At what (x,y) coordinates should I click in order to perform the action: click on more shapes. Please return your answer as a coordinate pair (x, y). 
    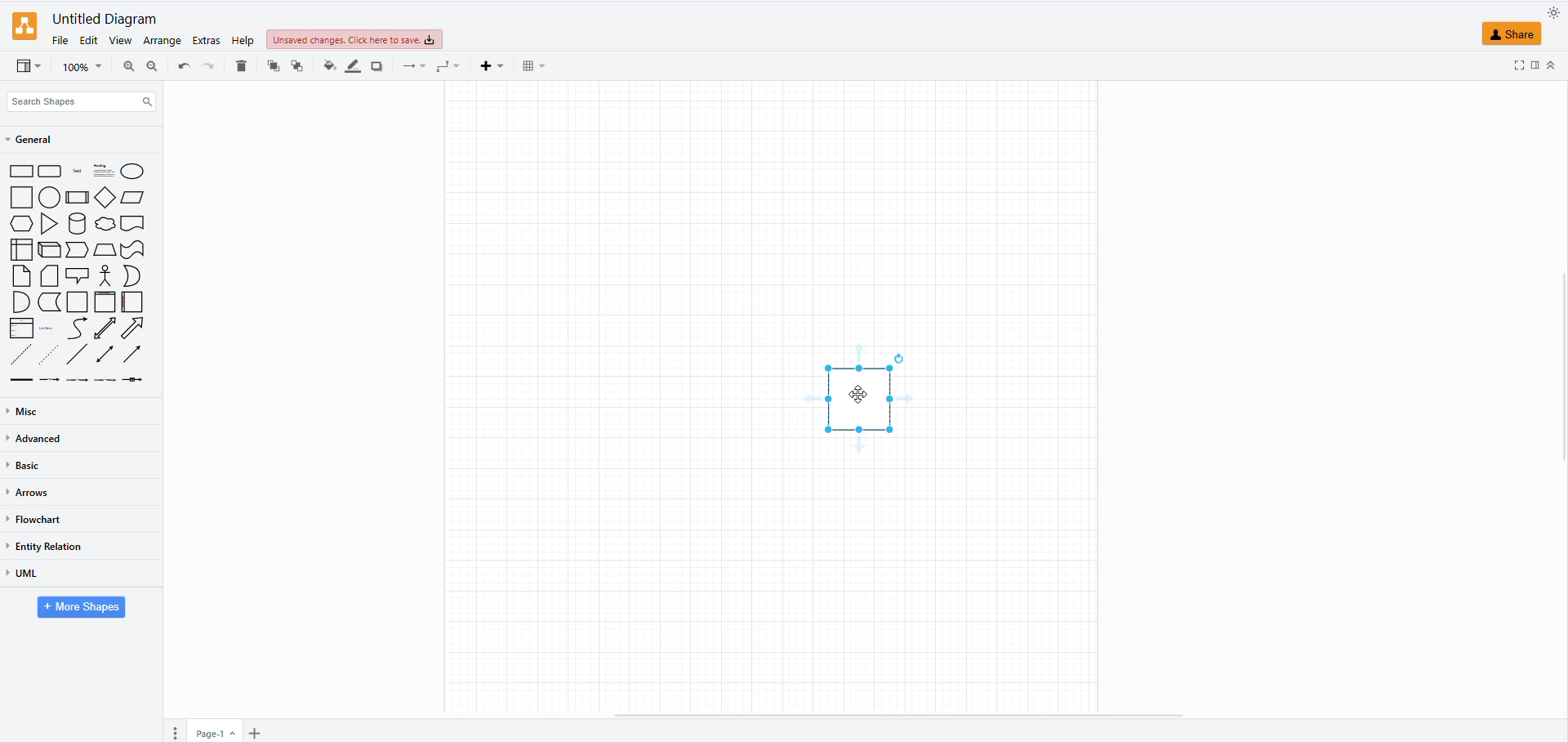
    Looking at the image, I should click on (78, 608).